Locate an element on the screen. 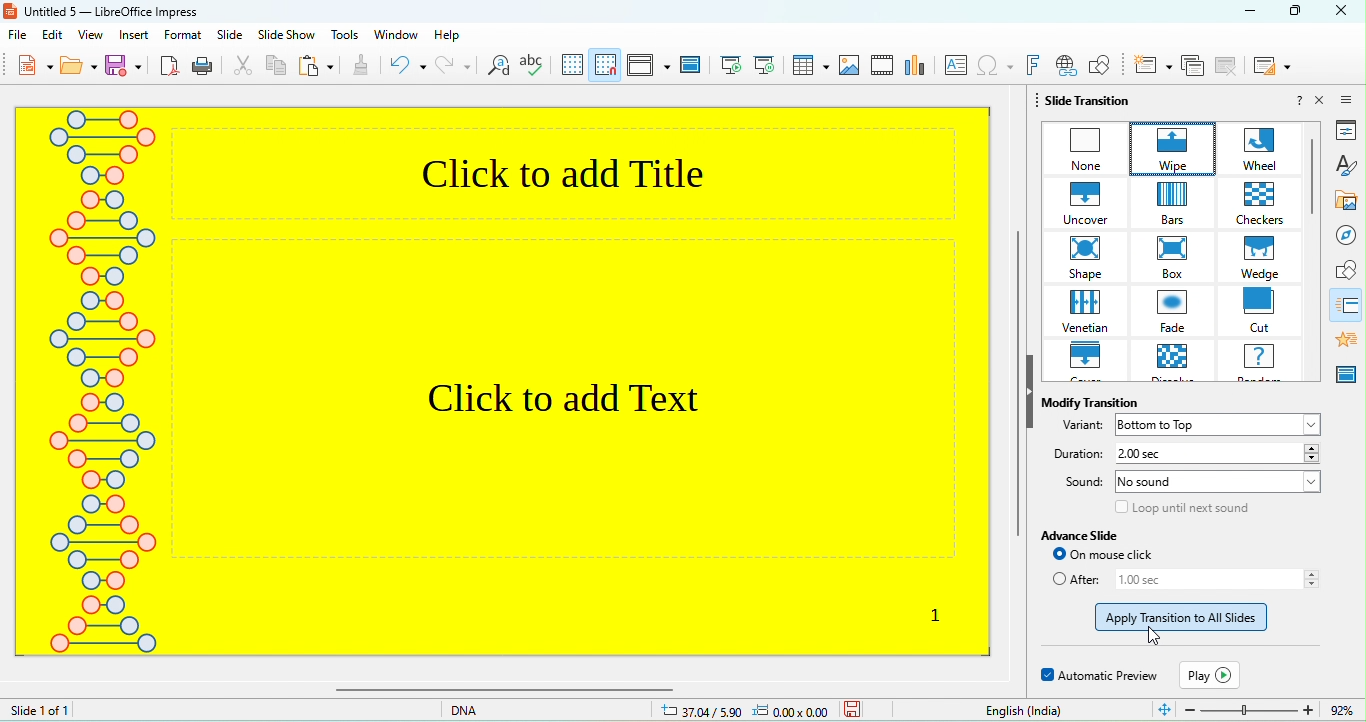 The width and height of the screenshot is (1366, 722). spelling is located at coordinates (533, 66).